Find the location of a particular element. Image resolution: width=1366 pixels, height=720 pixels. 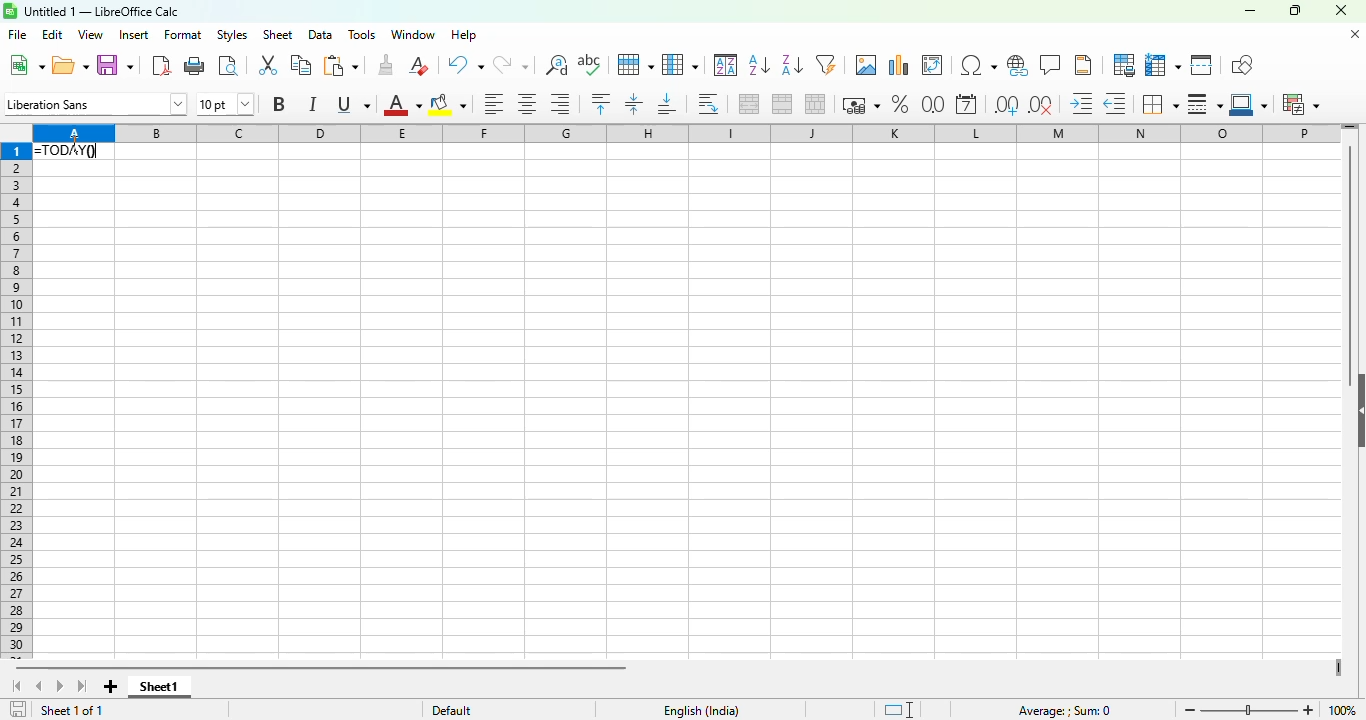

title is located at coordinates (102, 11).